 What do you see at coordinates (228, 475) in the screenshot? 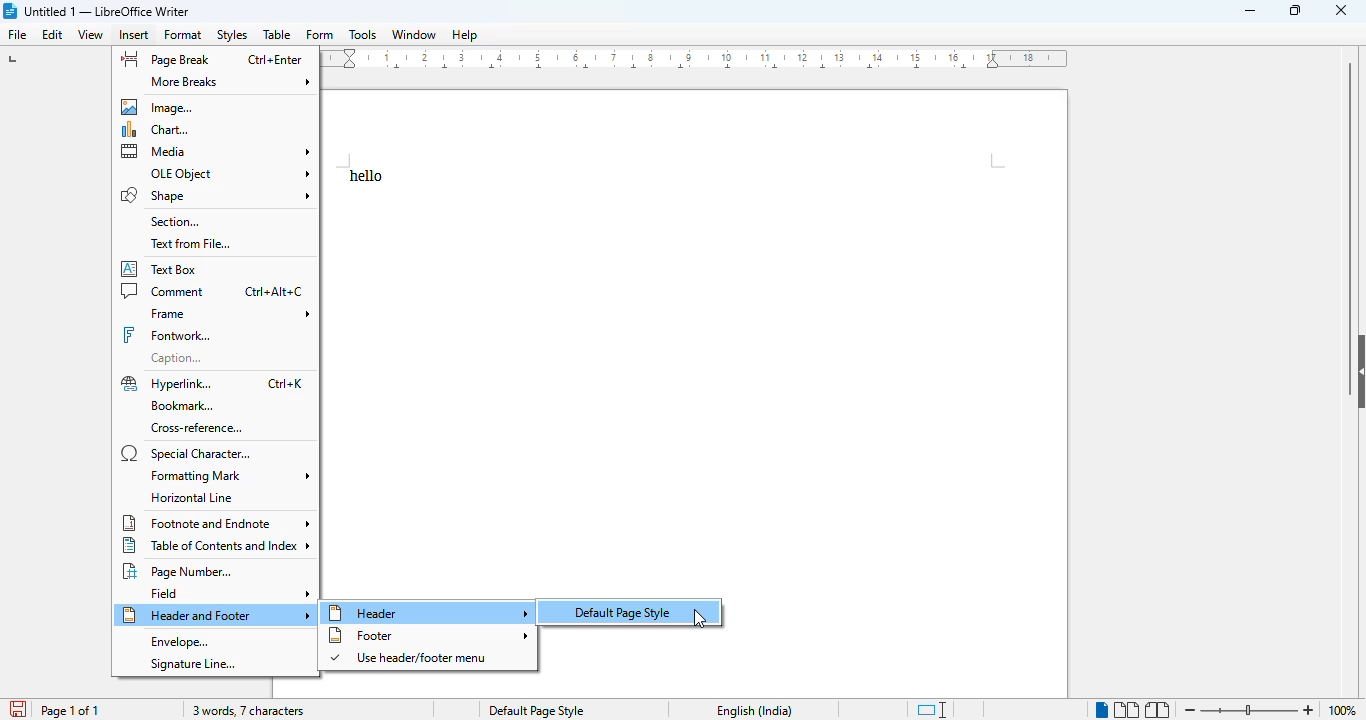
I see `formatting mark` at bounding box center [228, 475].